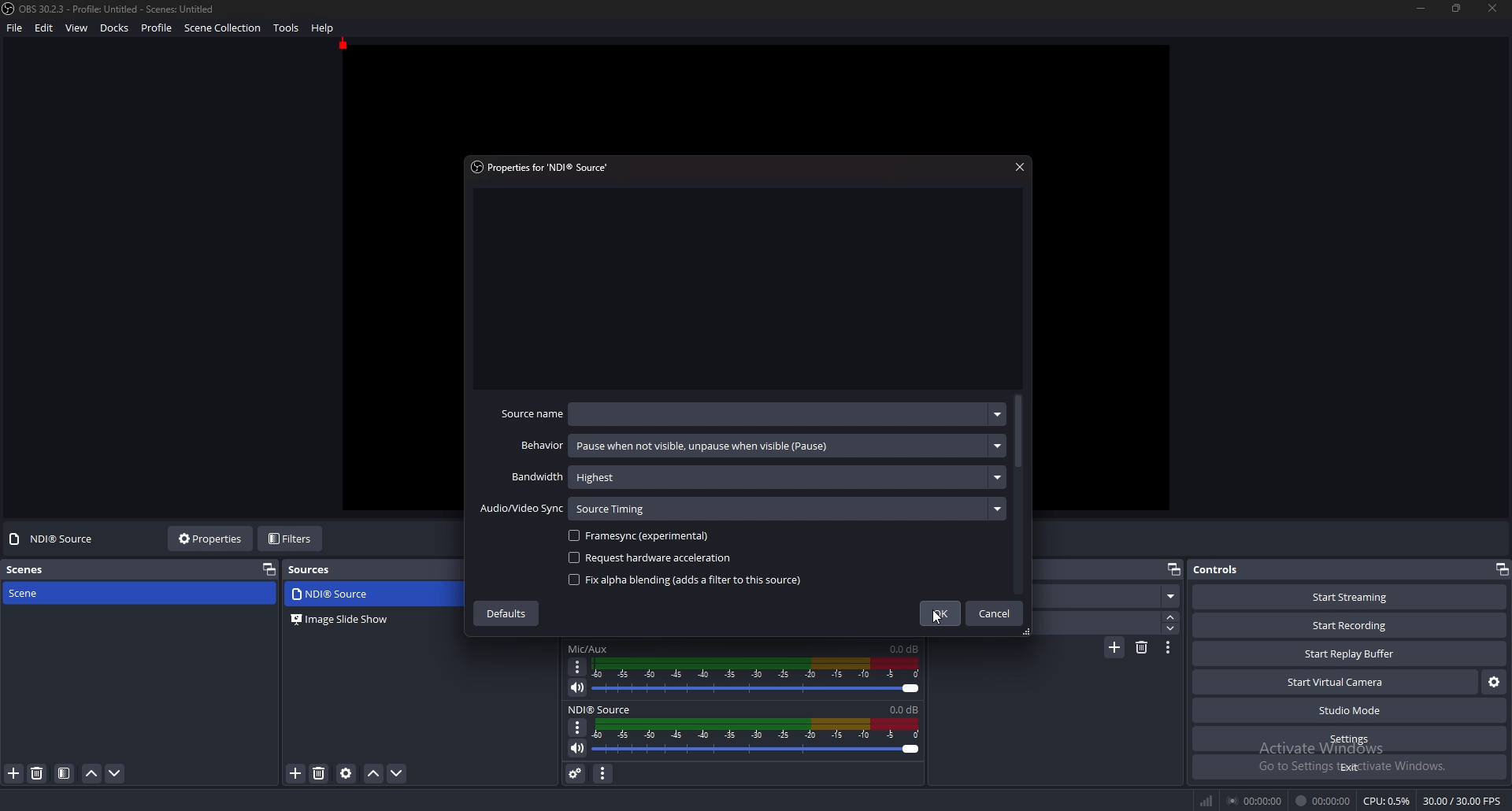 Image resolution: width=1512 pixels, height=811 pixels. Describe the element at coordinates (939, 614) in the screenshot. I see `ok` at that location.